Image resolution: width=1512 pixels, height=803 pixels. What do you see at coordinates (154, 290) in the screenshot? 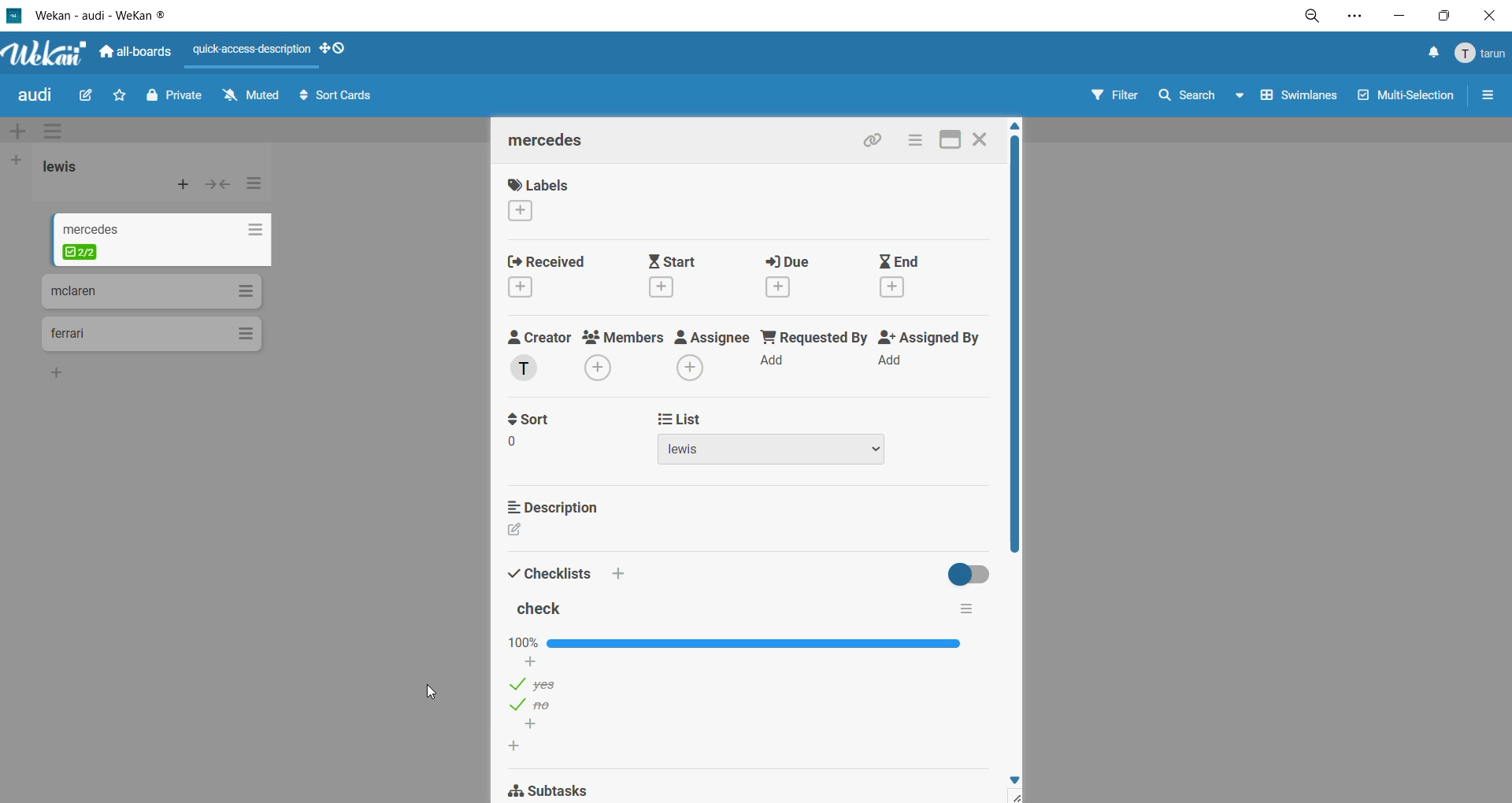
I see `cards` at bounding box center [154, 290].